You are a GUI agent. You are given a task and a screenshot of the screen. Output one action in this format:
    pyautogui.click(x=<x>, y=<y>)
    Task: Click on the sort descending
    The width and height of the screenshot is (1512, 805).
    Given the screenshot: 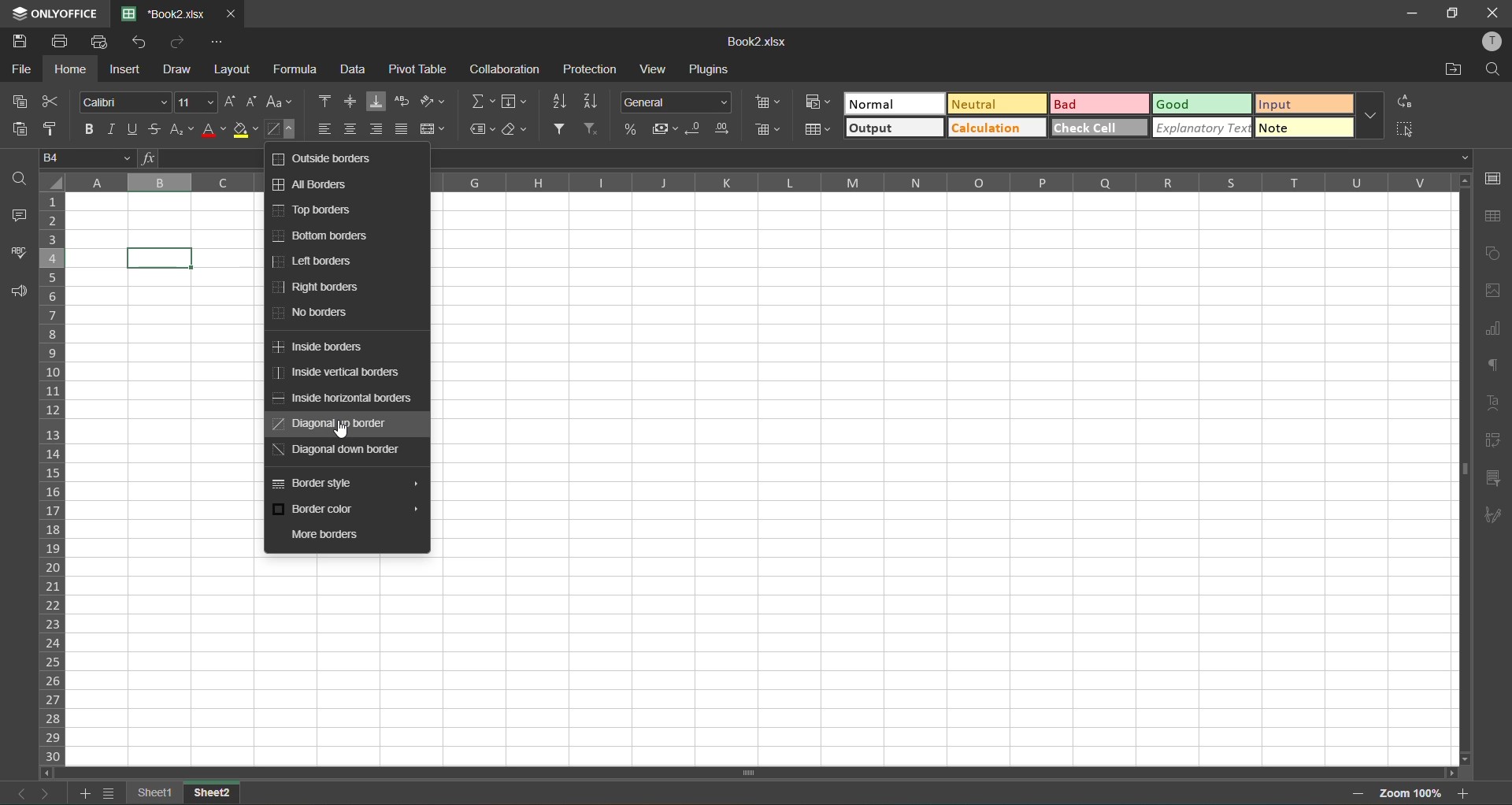 What is the action you would take?
    pyautogui.click(x=595, y=101)
    